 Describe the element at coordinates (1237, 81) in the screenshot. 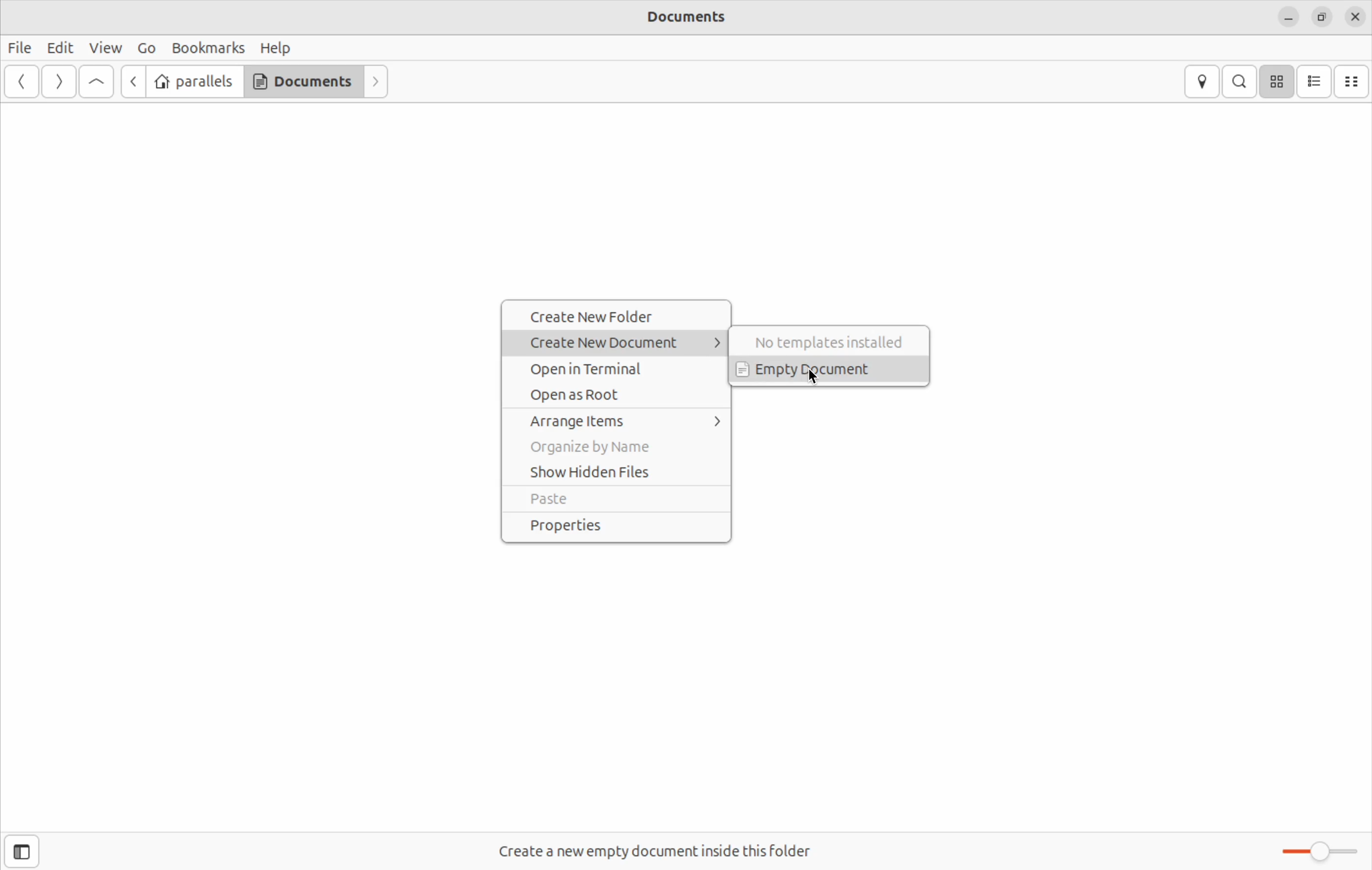

I see `search bar` at that location.